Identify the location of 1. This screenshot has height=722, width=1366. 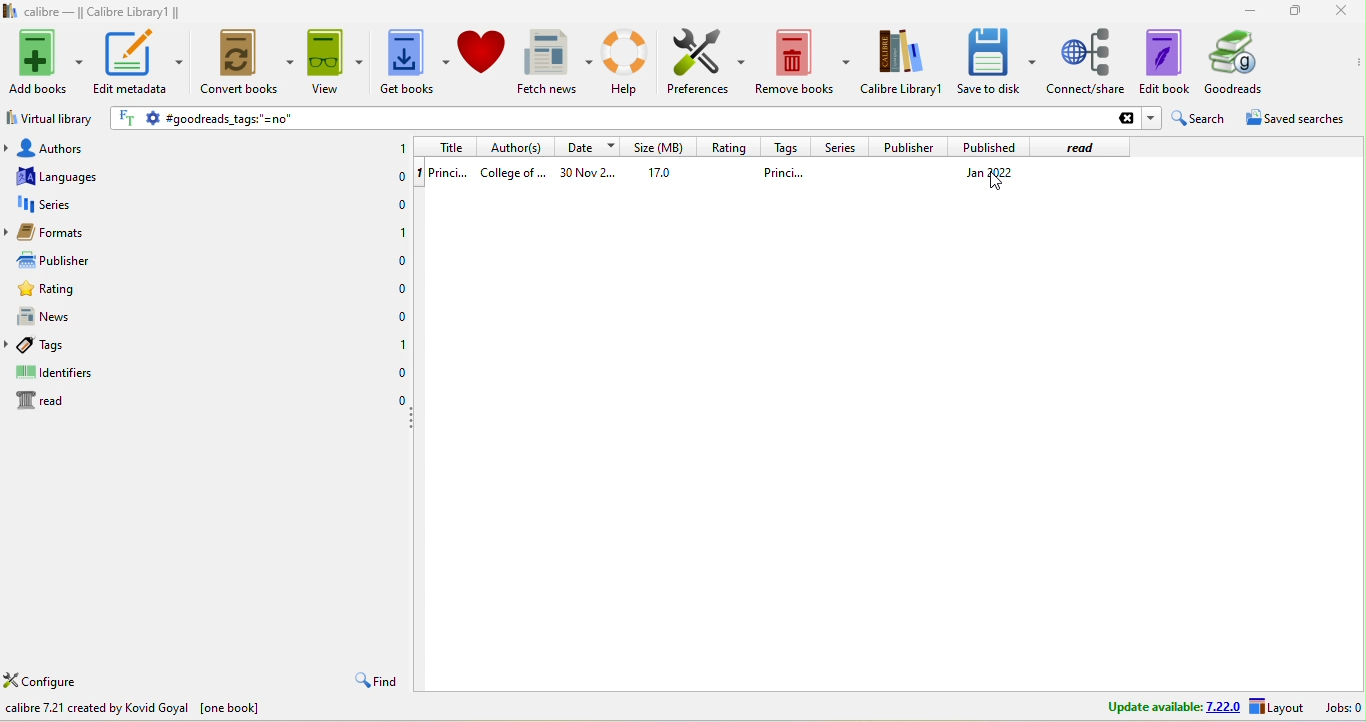
(401, 146).